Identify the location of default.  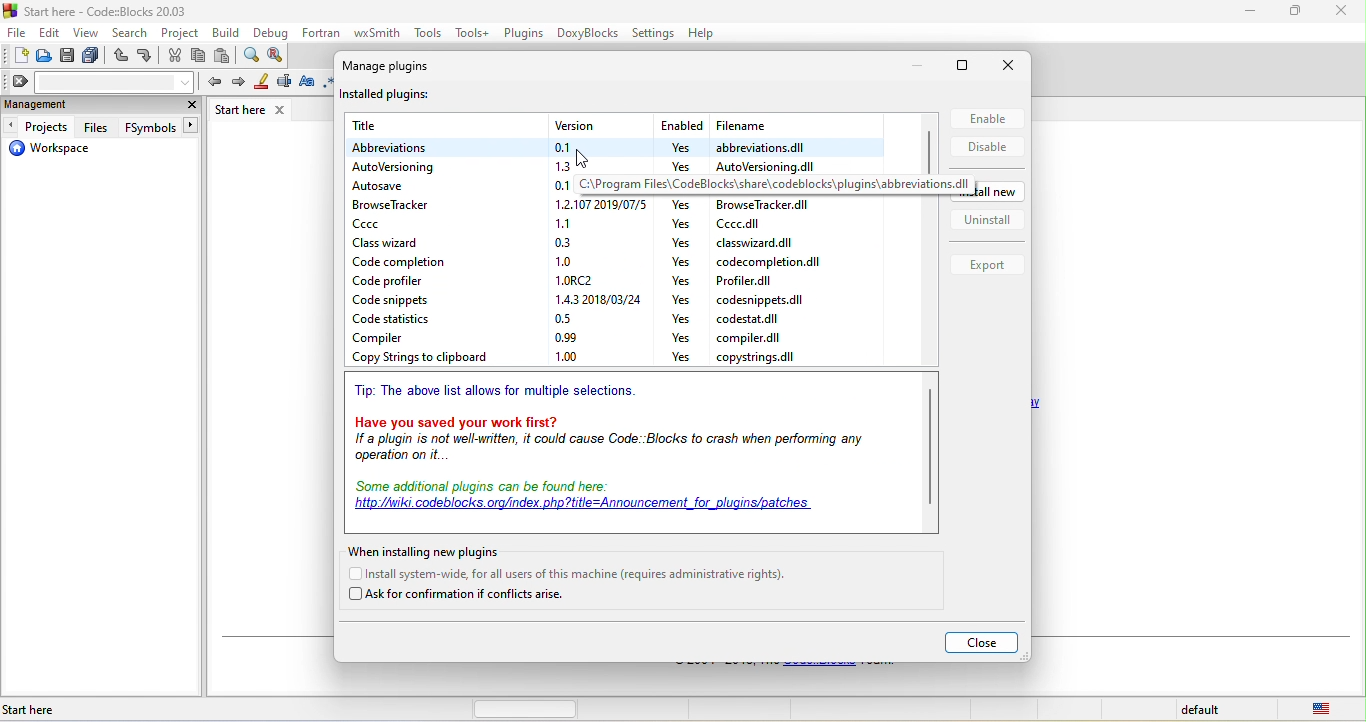
(1203, 711).